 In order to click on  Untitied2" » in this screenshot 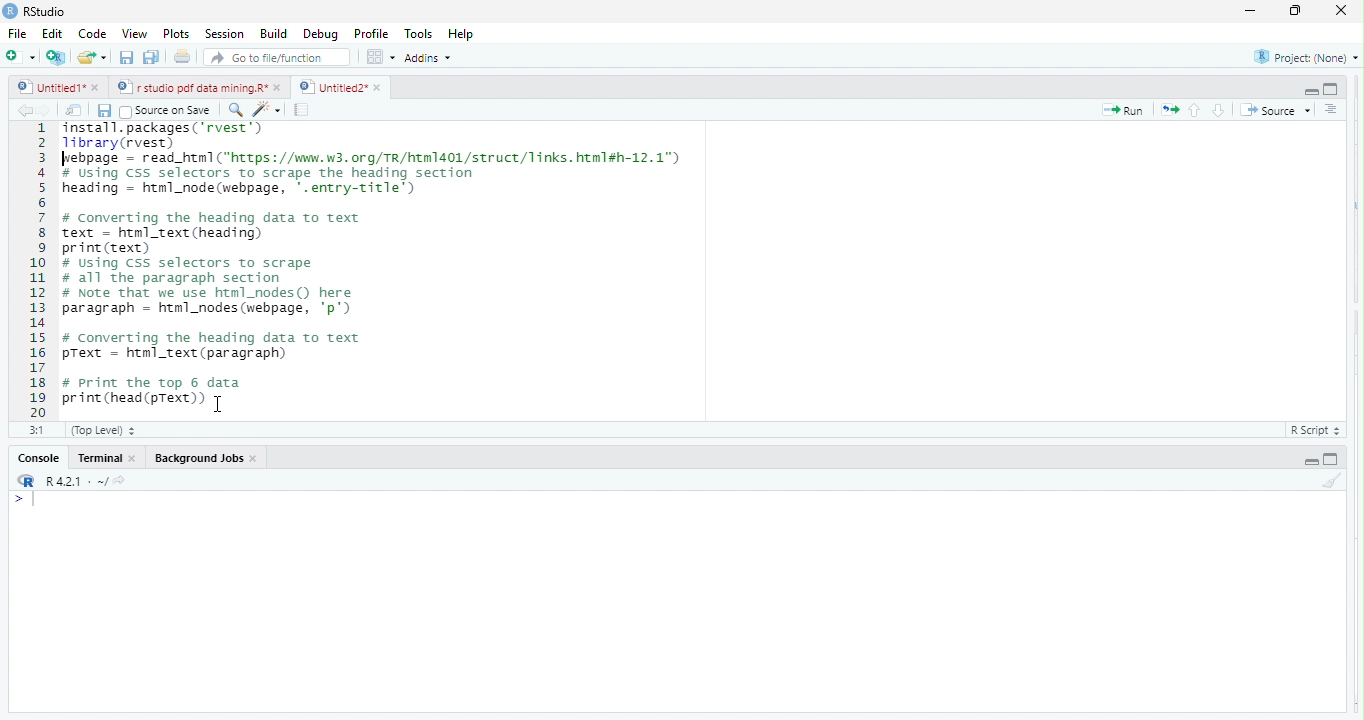, I will do `click(337, 88)`.